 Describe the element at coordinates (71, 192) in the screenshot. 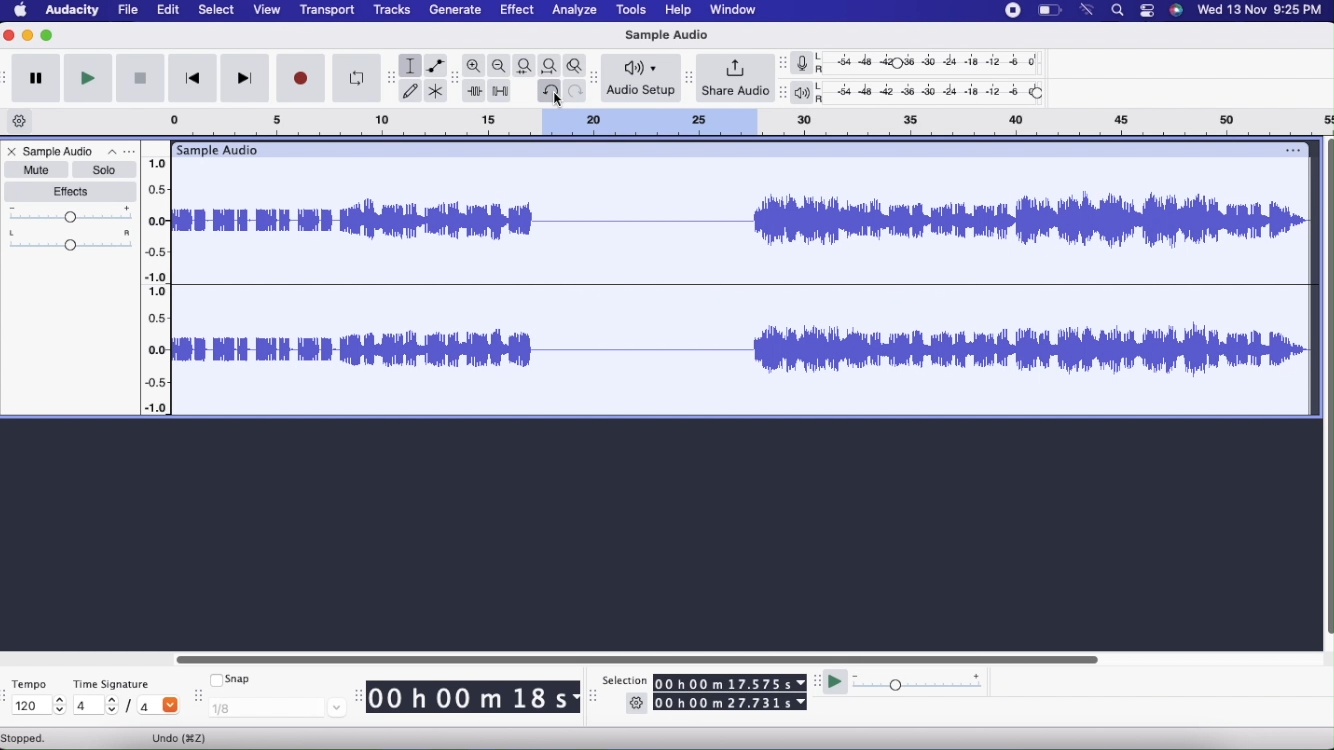

I see `Effects` at that location.